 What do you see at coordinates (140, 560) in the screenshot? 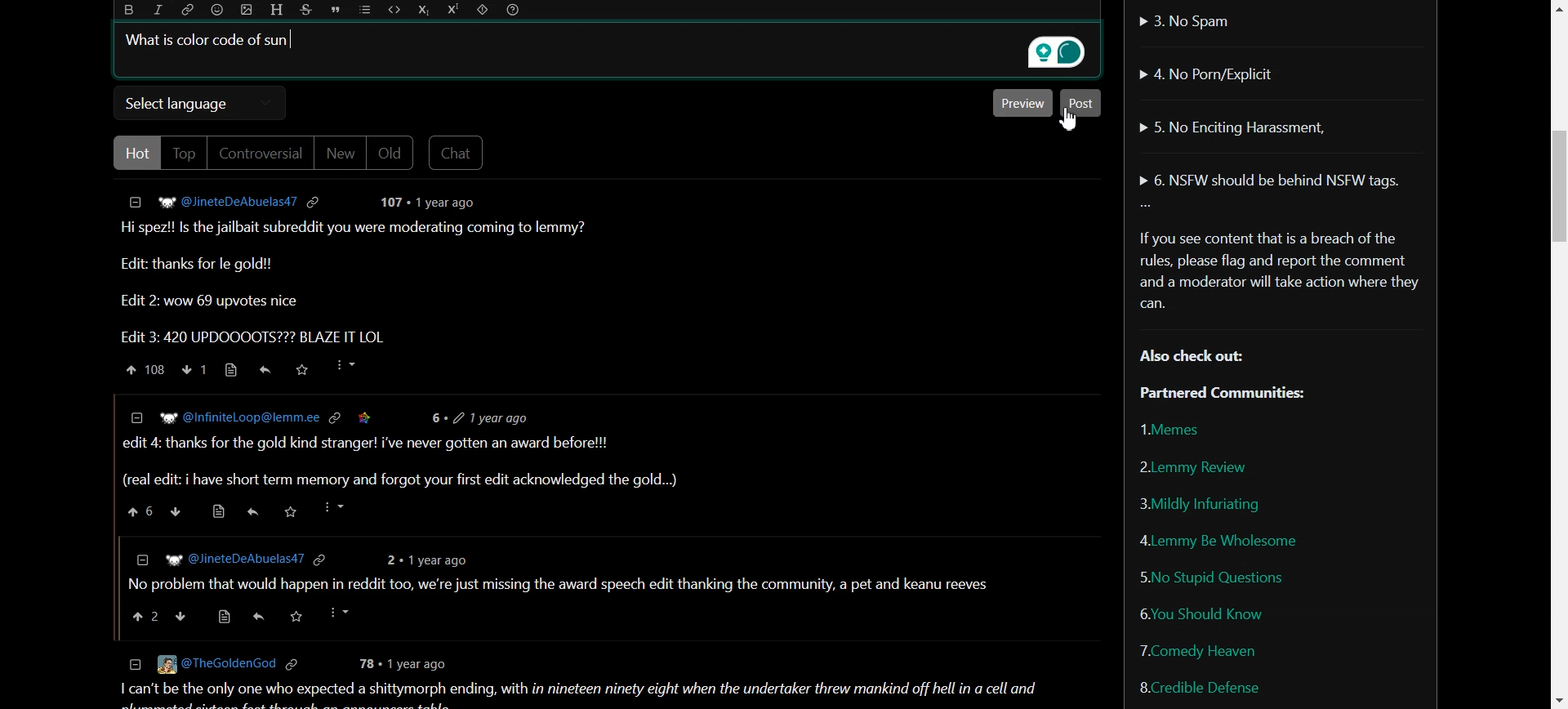
I see `collapse` at bounding box center [140, 560].